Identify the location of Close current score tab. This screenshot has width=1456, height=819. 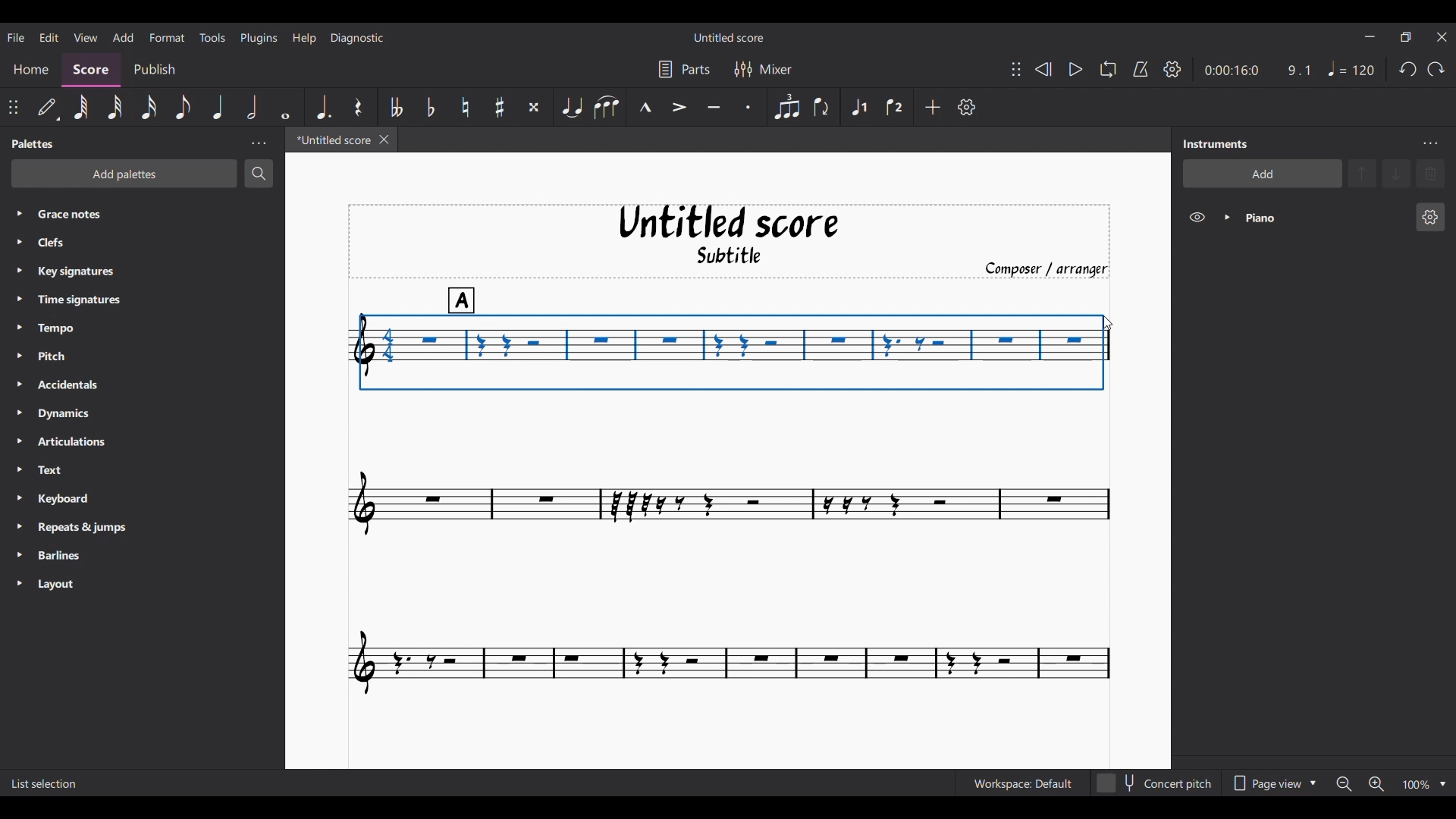
(384, 140).